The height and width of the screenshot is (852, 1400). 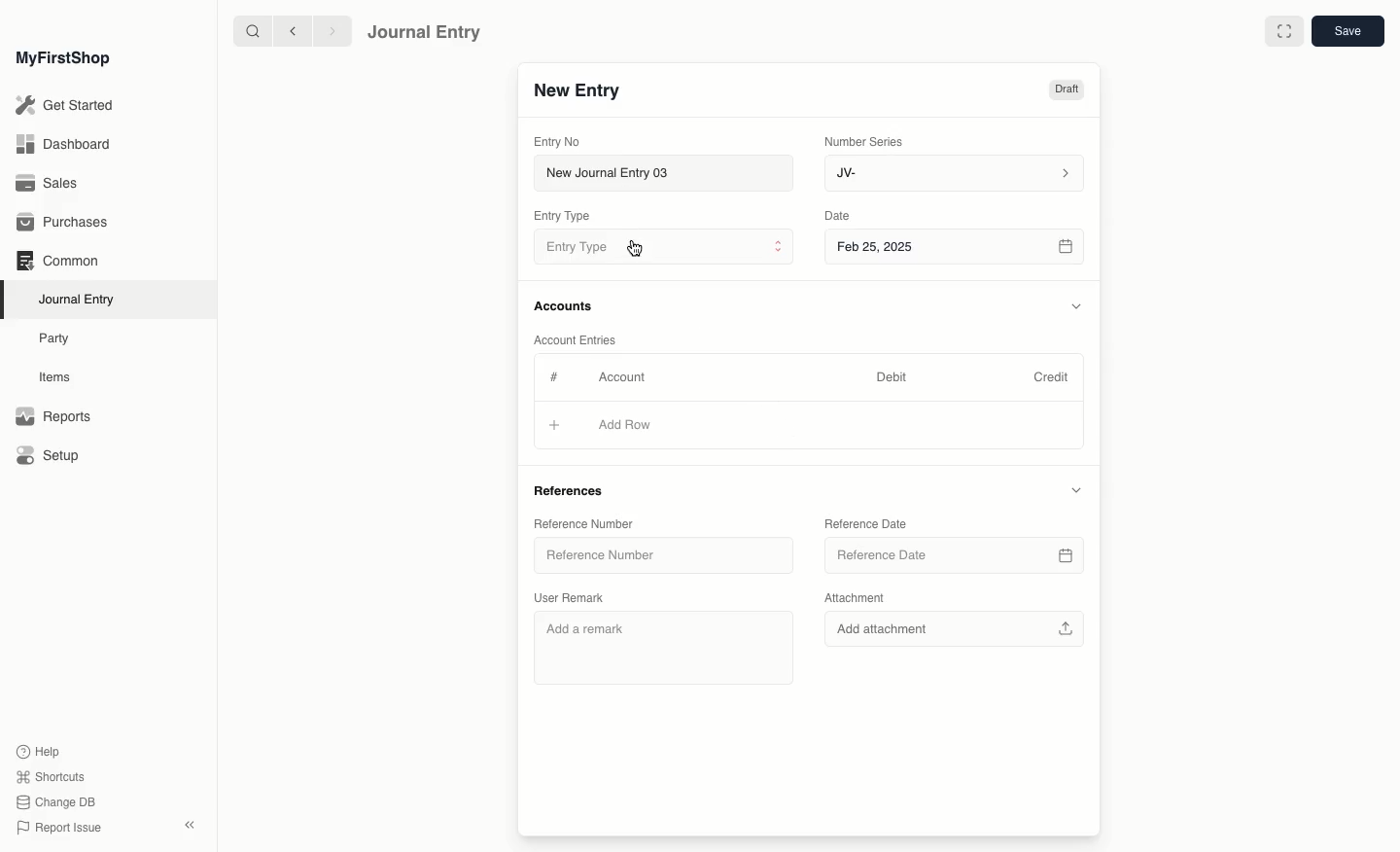 I want to click on Items, so click(x=60, y=377).